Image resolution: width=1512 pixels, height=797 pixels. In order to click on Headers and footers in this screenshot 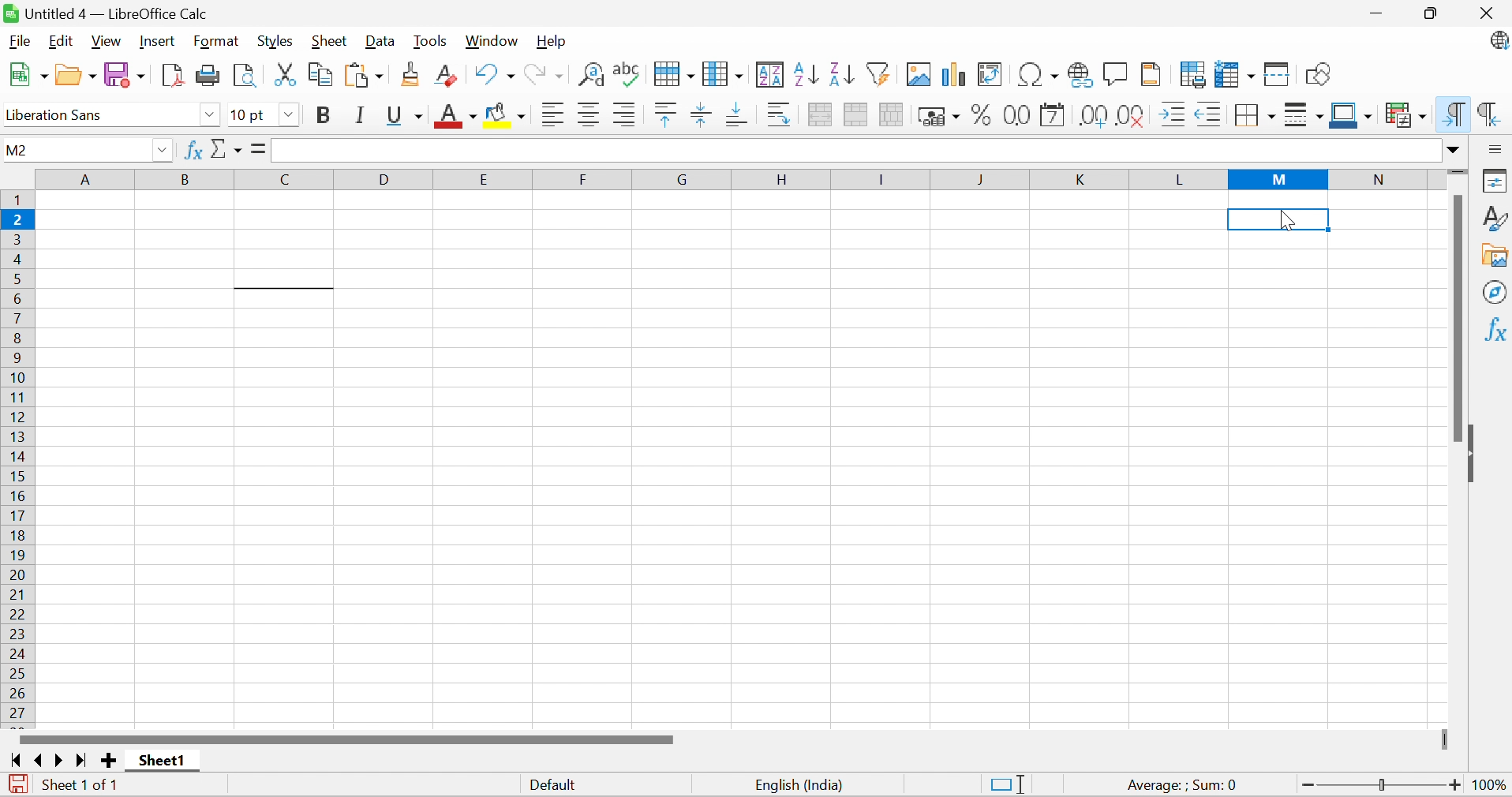, I will do `click(1151, 73)`.